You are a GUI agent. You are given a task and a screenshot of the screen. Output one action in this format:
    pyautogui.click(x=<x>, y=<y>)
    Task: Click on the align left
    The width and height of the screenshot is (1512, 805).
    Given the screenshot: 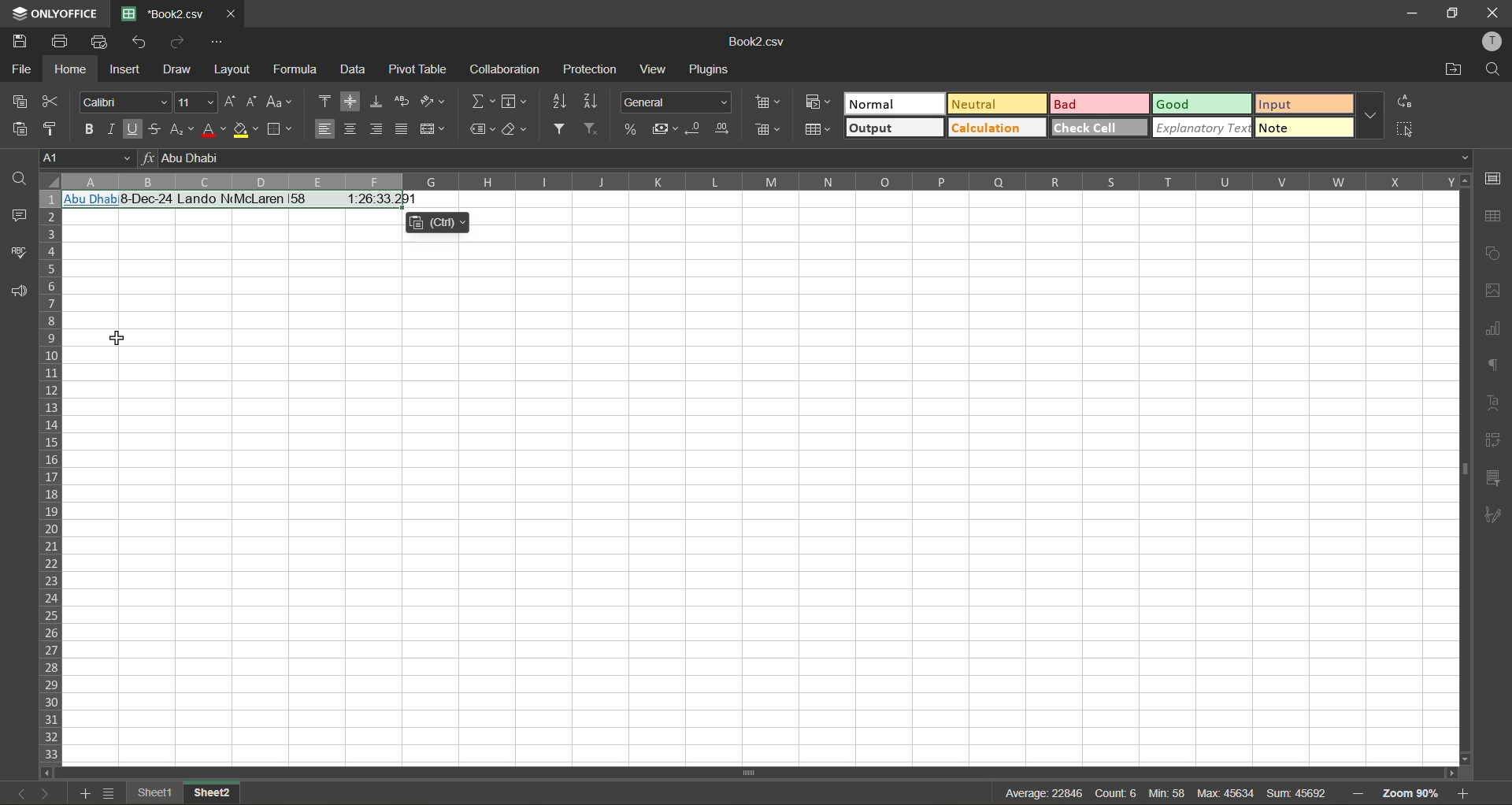 What is the action you would take?
    pyautogui.click(x=325, y=130)
    